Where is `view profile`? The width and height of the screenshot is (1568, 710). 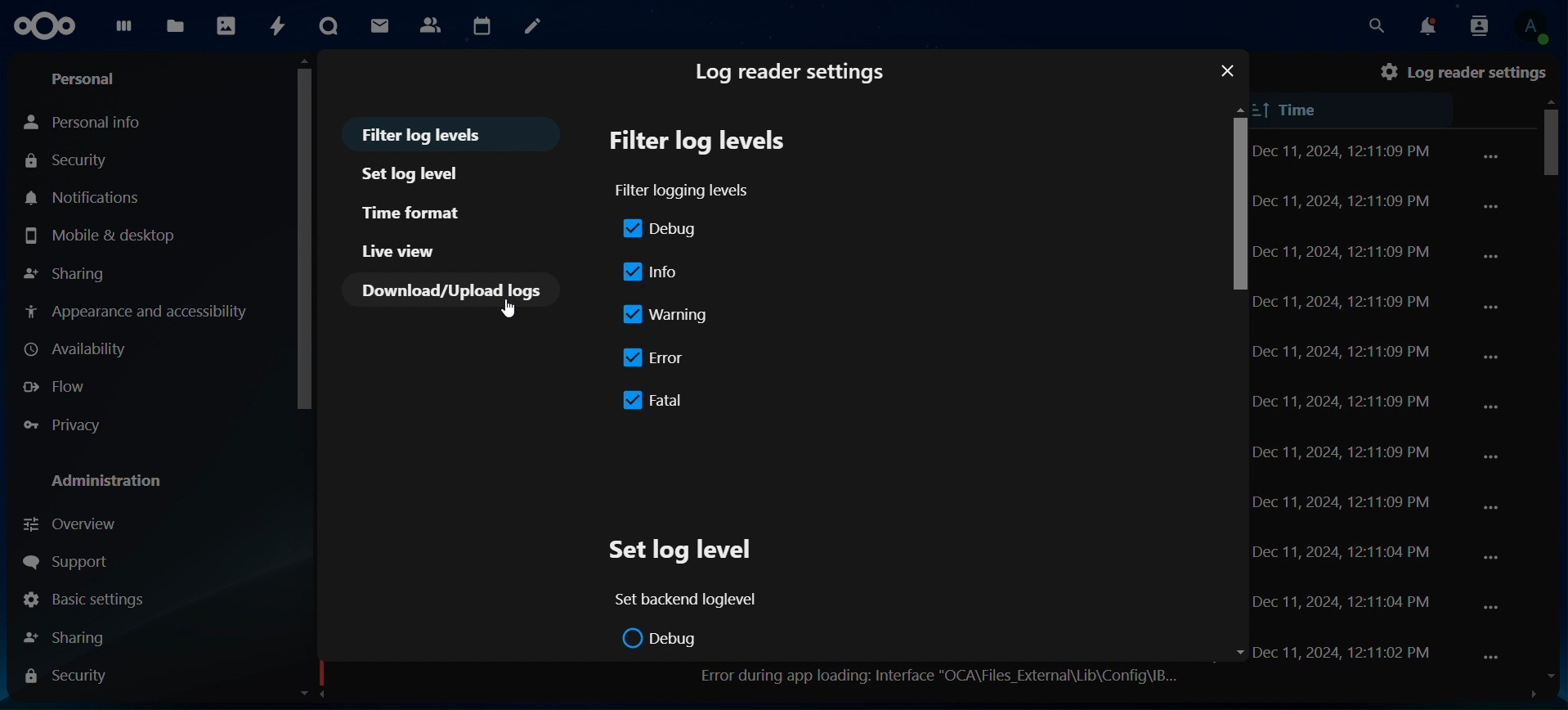 view profile is located at coordinates (1530, 28).